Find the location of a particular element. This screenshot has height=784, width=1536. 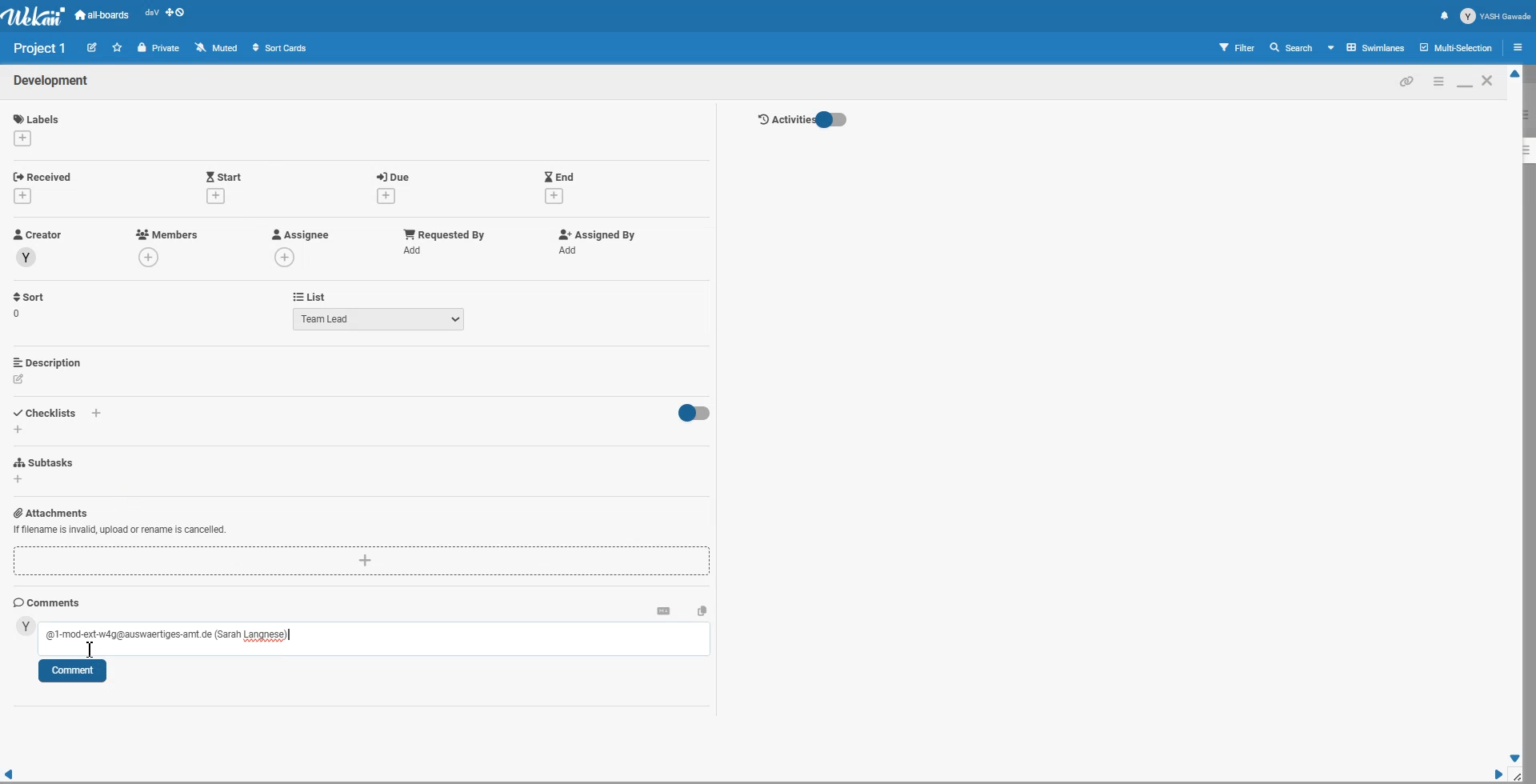

Add Assignee is located at coordinates (299, 234).